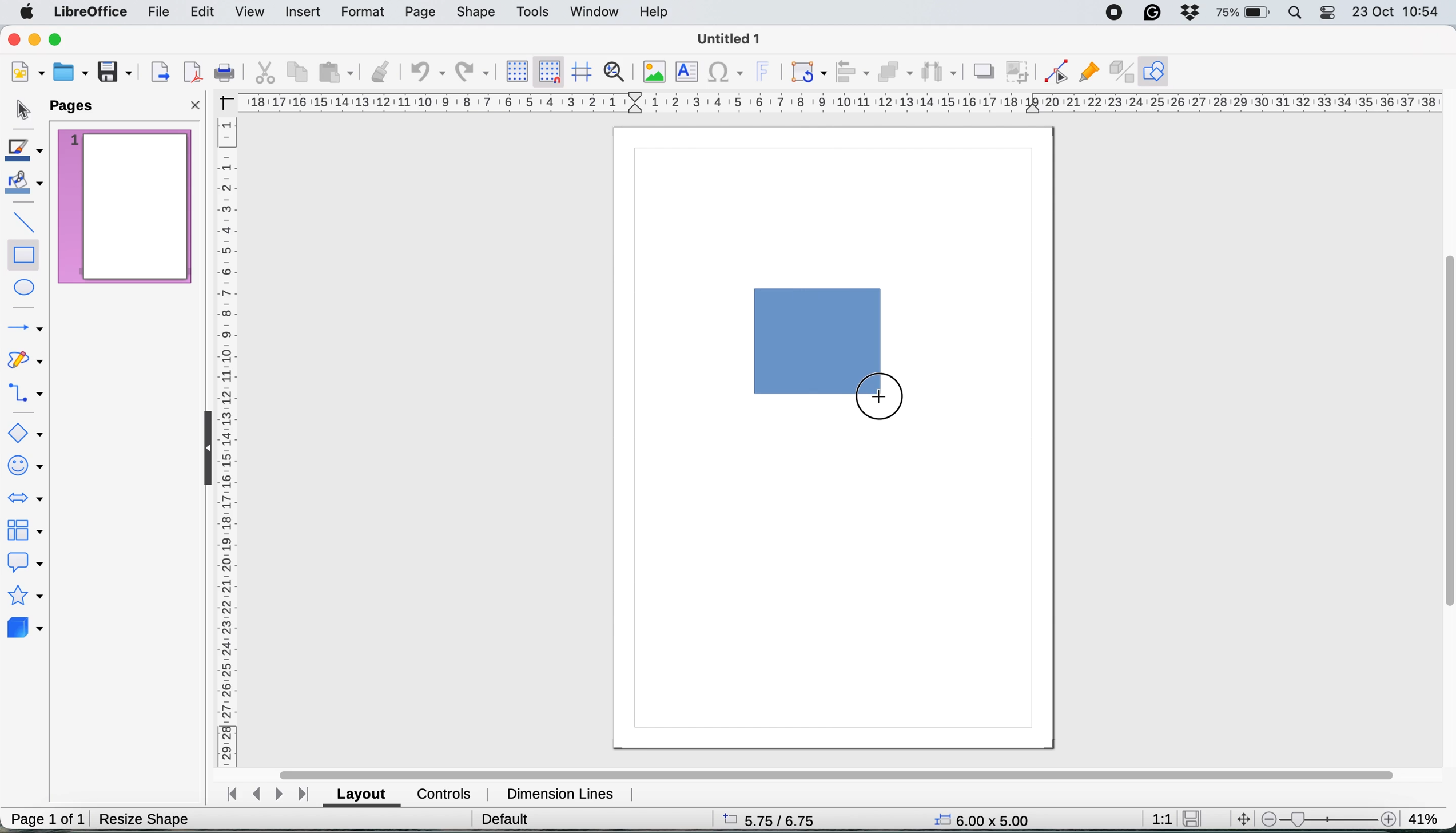 The width and height of the screenshot is (1456, 833). What do you see at coordinates (1423, 816) in the screenshot?
I see `41%` at bounding box center [1423, 816].